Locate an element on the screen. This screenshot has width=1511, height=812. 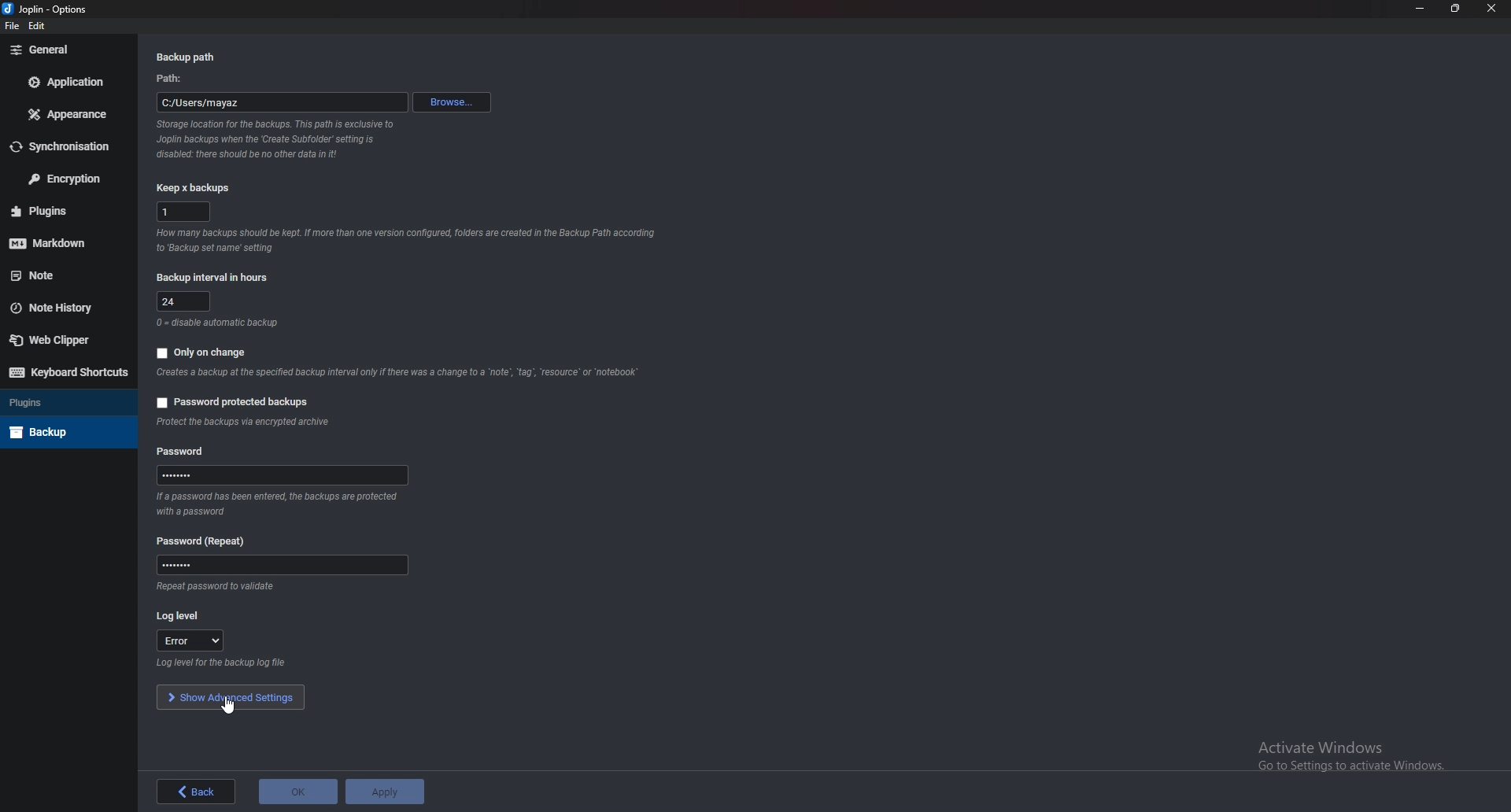
info is located at coordinates (214, 587).